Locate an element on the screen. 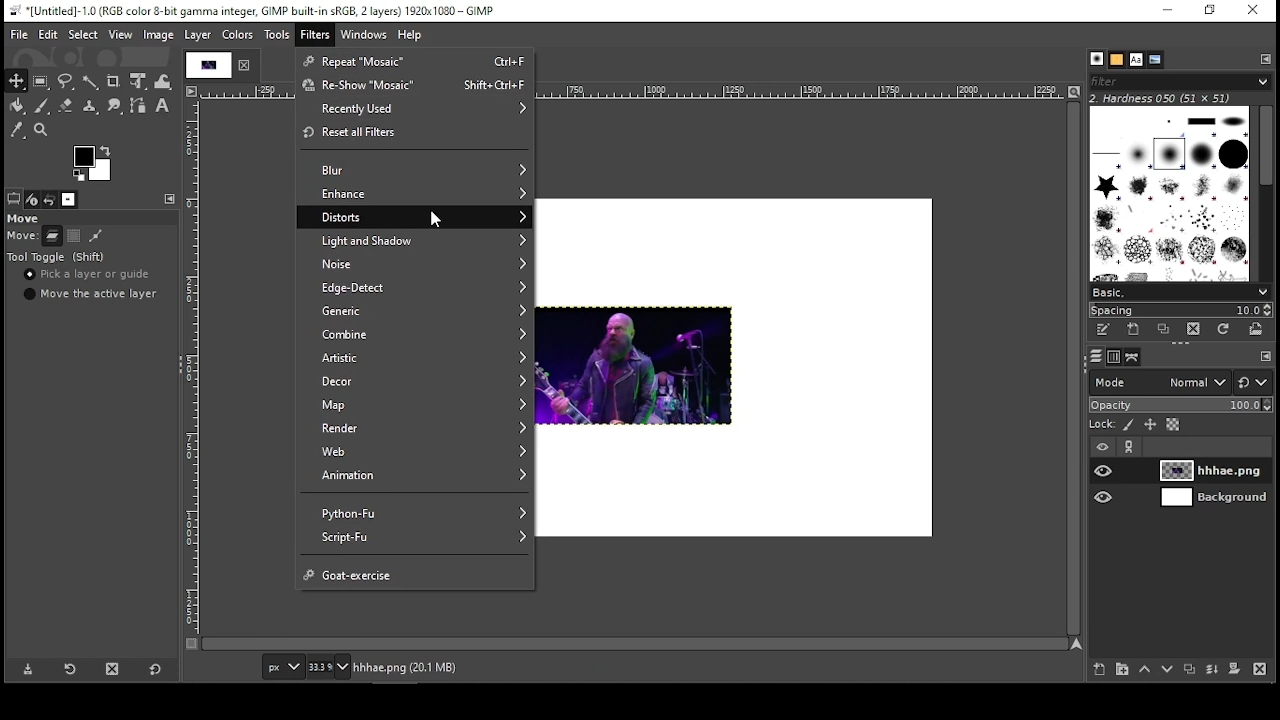 Image resolution: width=1280 pixels, height=720 pixels. lock pixels is located at coordinates (1129, 425).